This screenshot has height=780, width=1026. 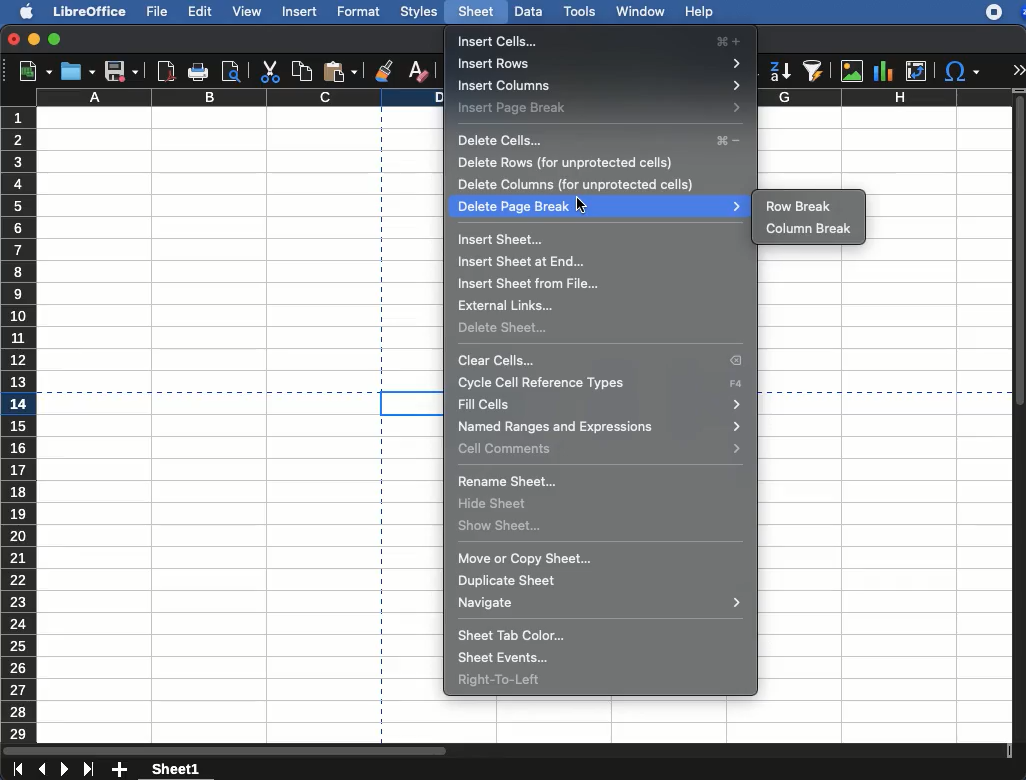 What do you see at coordinates (417, 68) in the screenshot?
I see `clear formatting` at bounding box center [417, 68].